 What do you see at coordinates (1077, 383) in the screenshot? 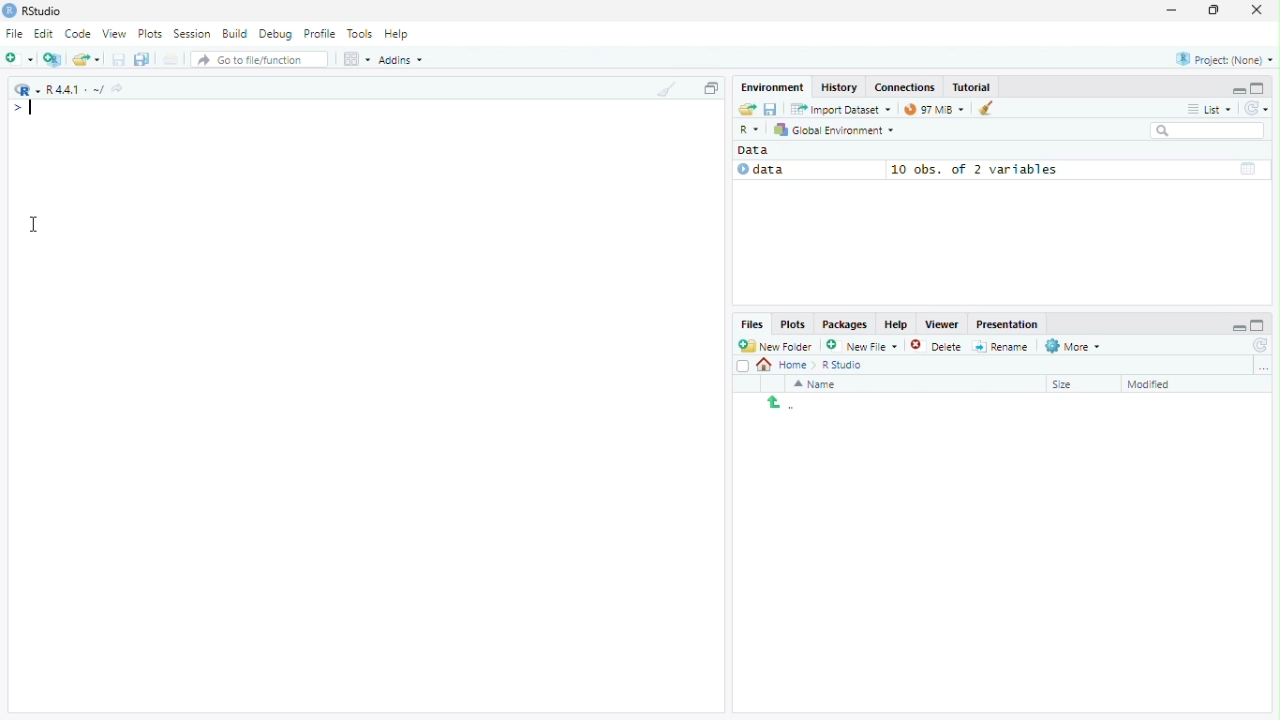
I see `Sort by size` at bounding box center [1077, 383].